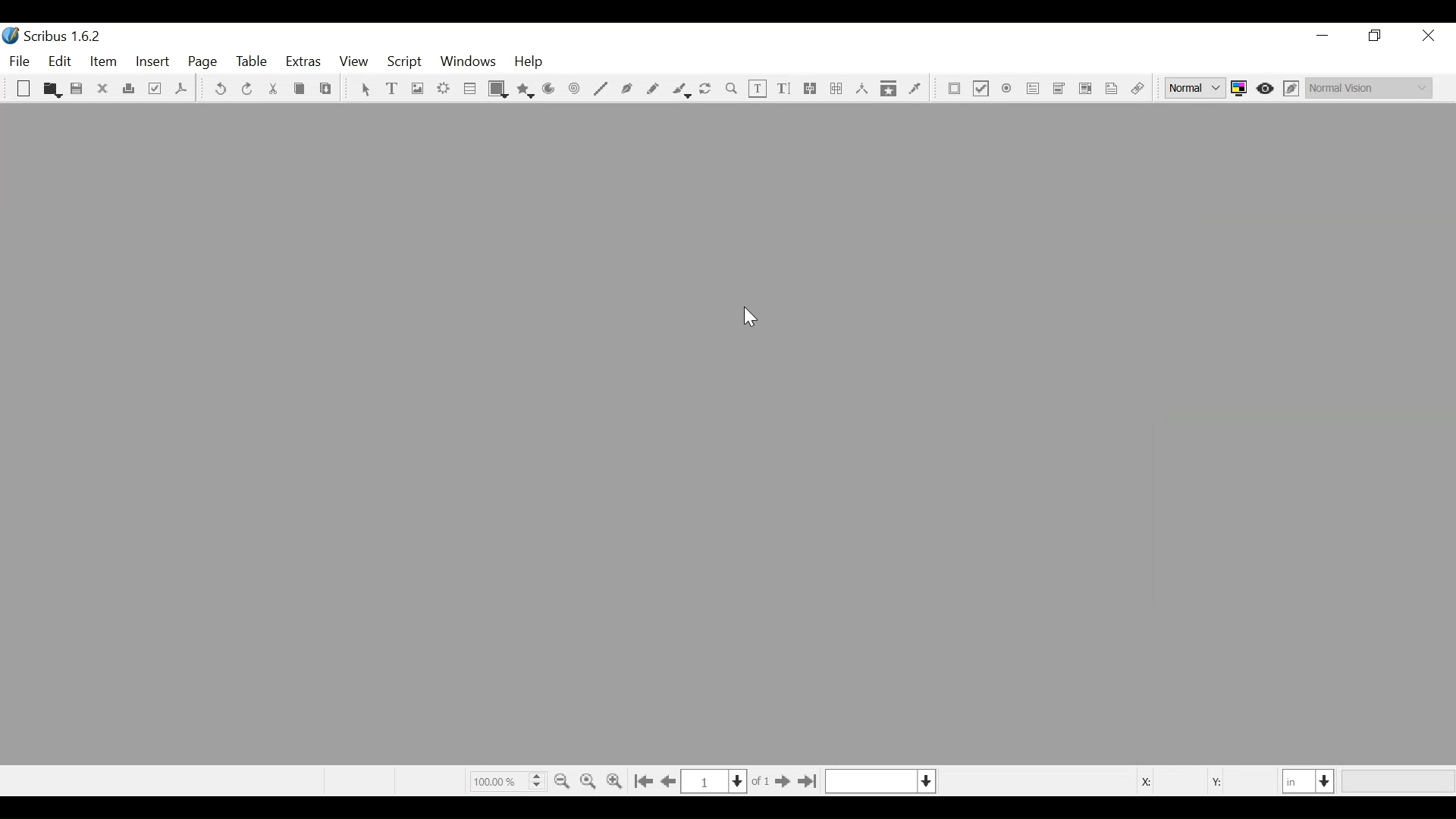 The width and height of the screenshot is (1456, 819). Describe the element at coordinates (780, 783) in the screenshot. I see `Go to next Page` at that location.